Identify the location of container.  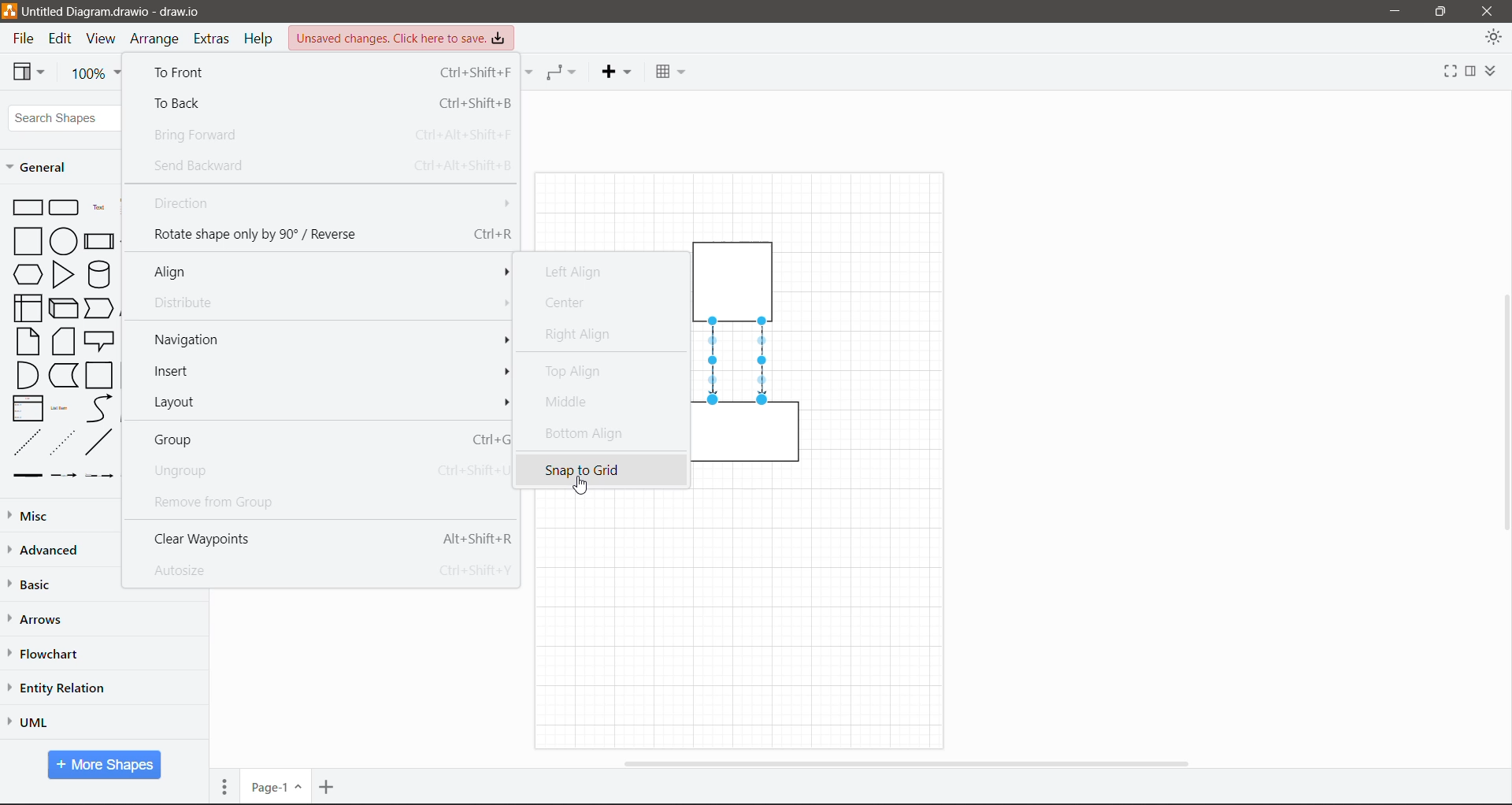
(754, 438).